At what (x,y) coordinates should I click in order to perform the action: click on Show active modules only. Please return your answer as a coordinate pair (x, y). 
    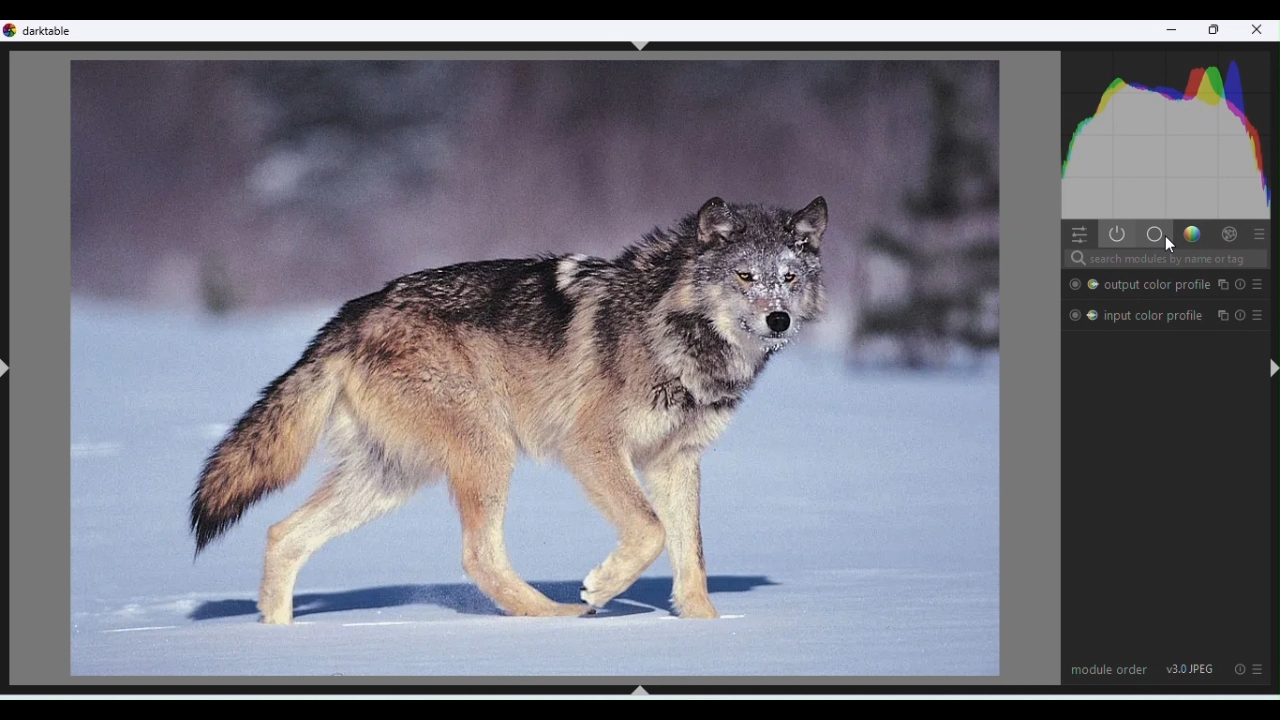
    Looking at the image, I should click on (1115, 234).